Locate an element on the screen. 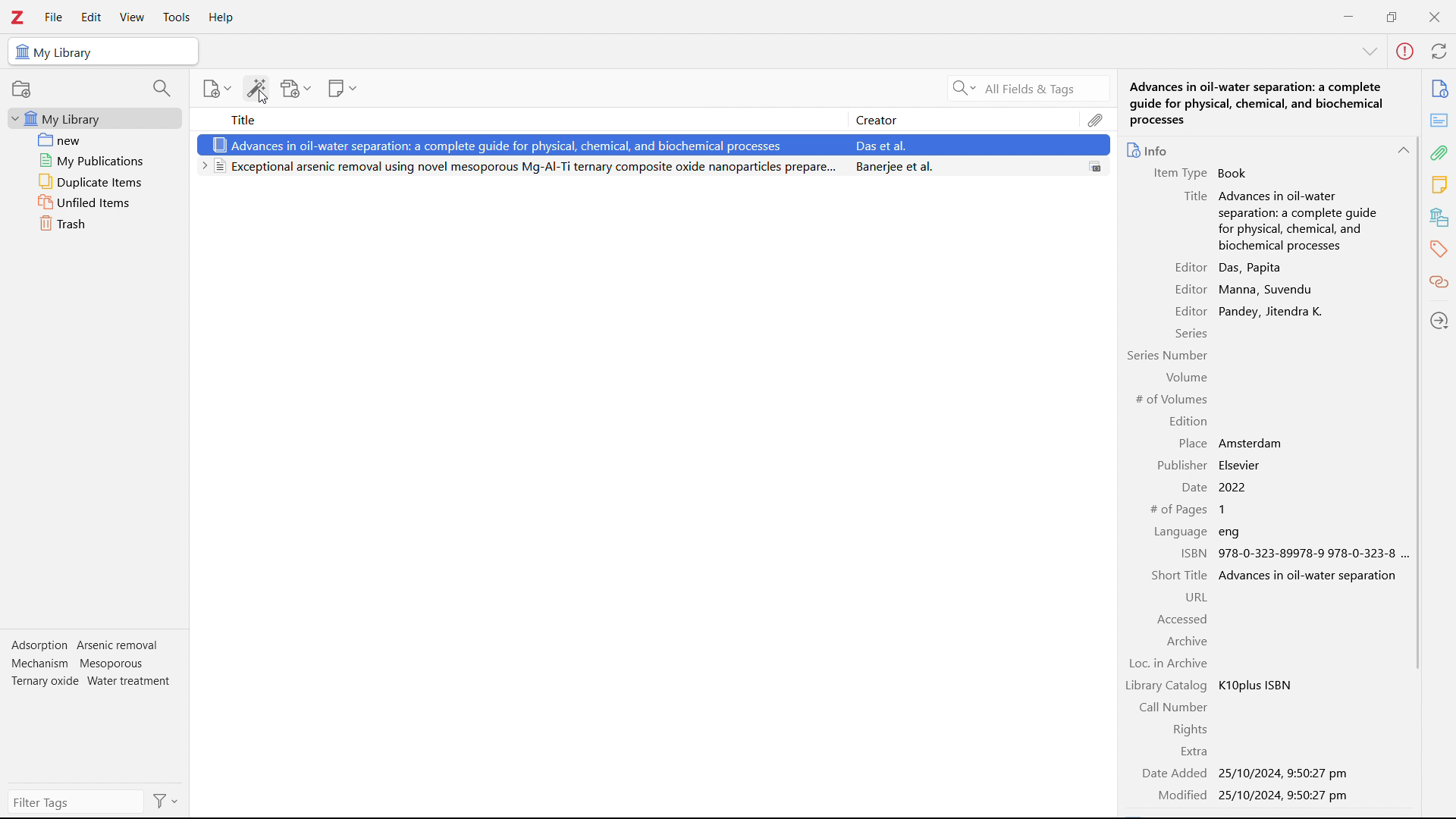 The height and width of the screenshot is (819, 1456). view is located at coordinates (132, 17).